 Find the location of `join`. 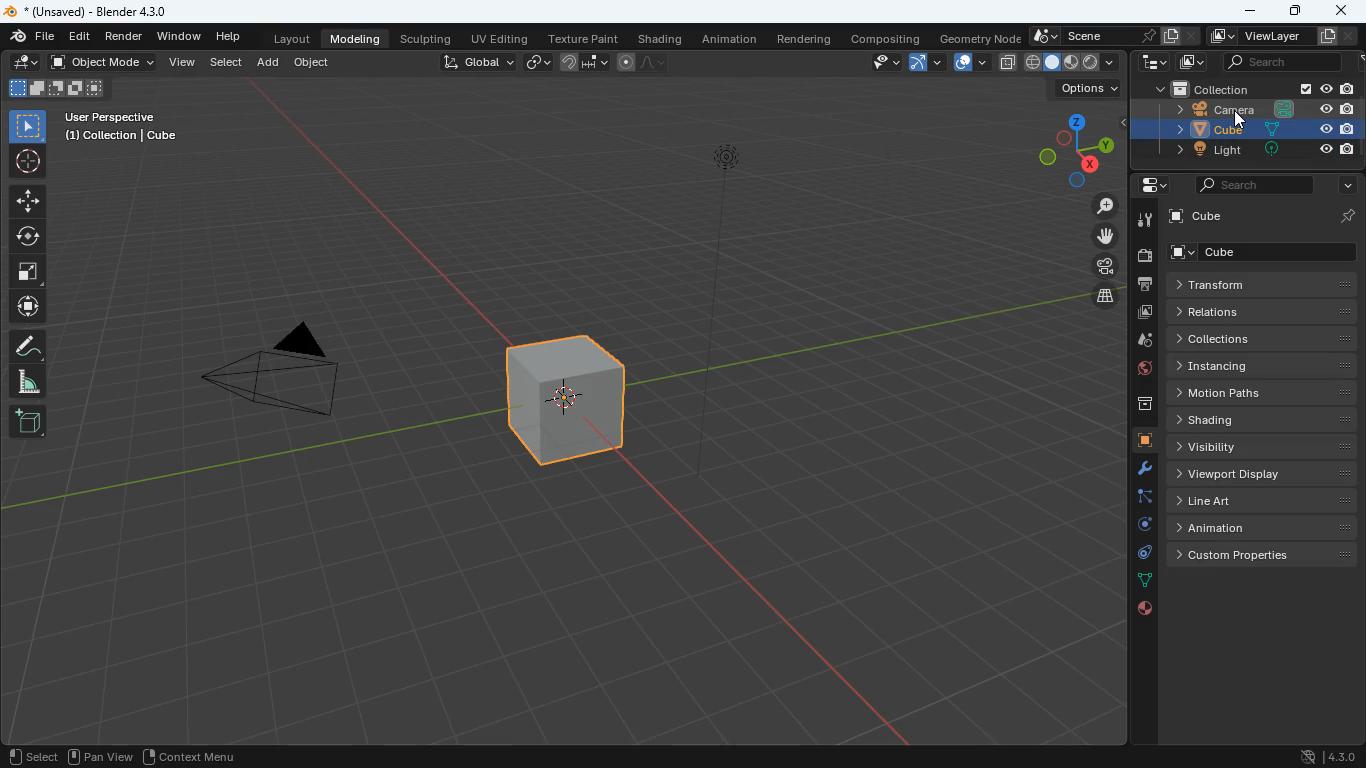

join is located at coordinates (581, 64).